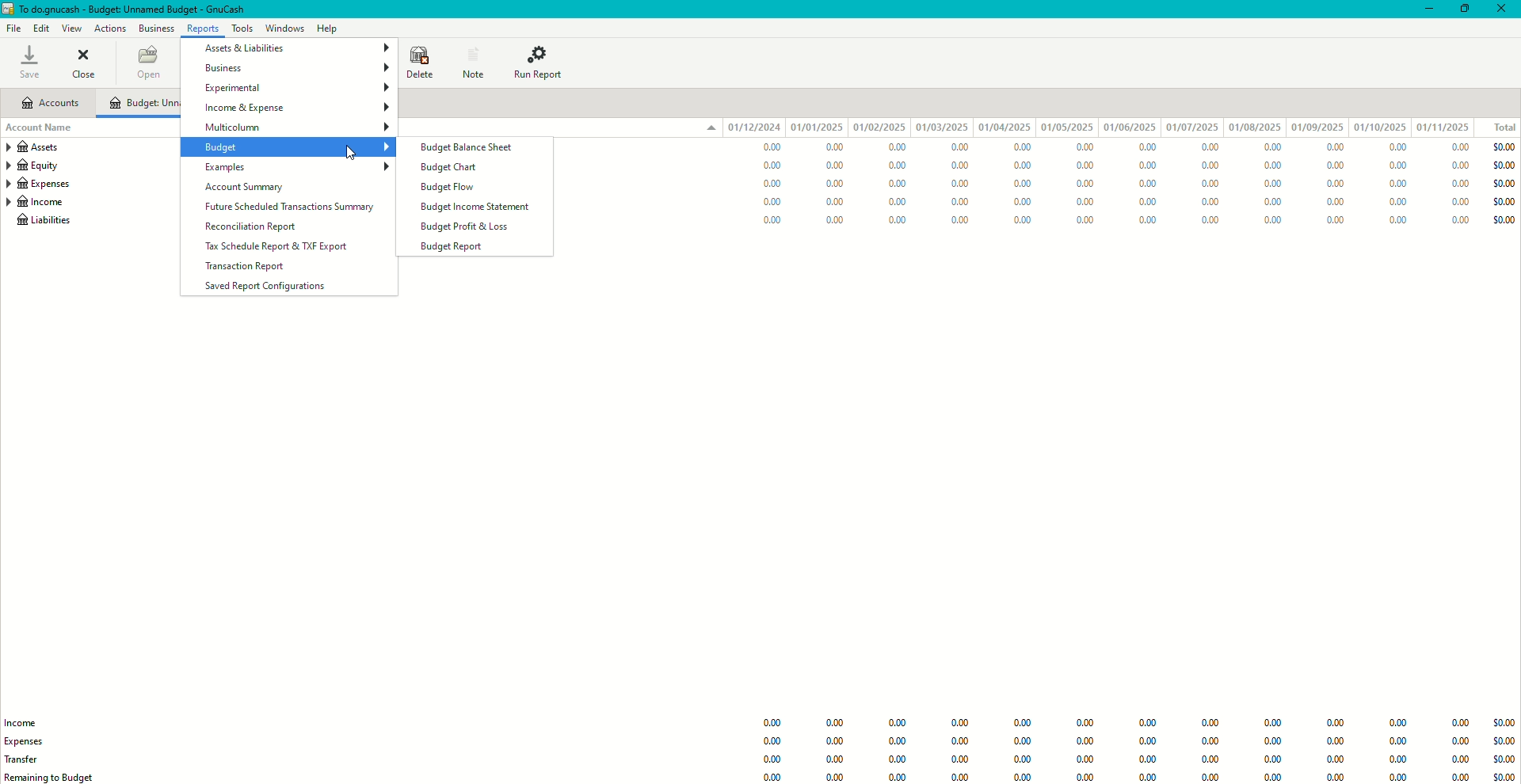  What do you see at coordinates (1256, 128) in the screenshot?
I see `01/08/2025` at bounding box center [1256, 128].